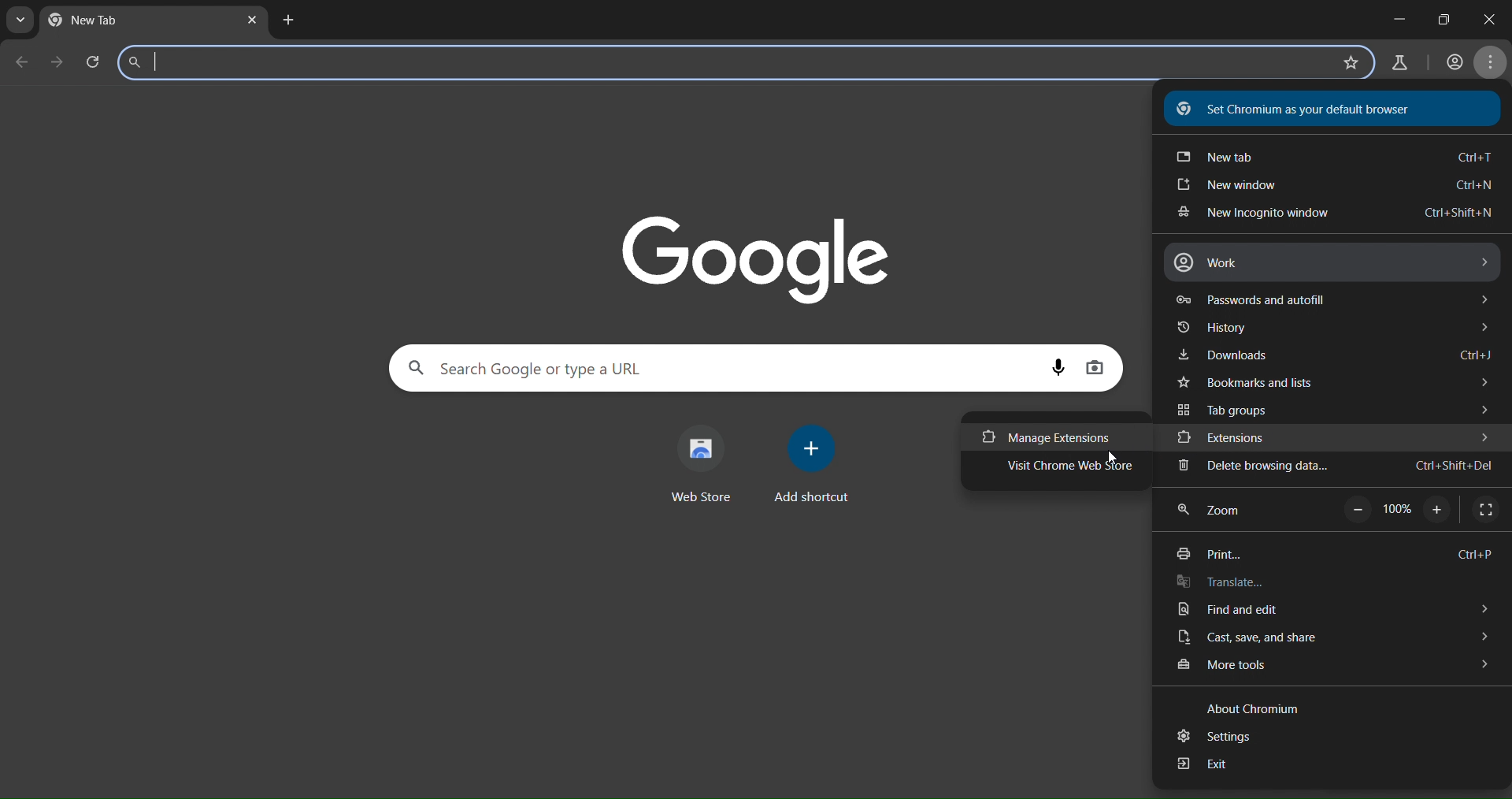 Image resolution: width=1512 pixels, height=799 pixels. Describe the element at coordinates (57, 64) in the screenshot. I see `go forward one page` at that location.